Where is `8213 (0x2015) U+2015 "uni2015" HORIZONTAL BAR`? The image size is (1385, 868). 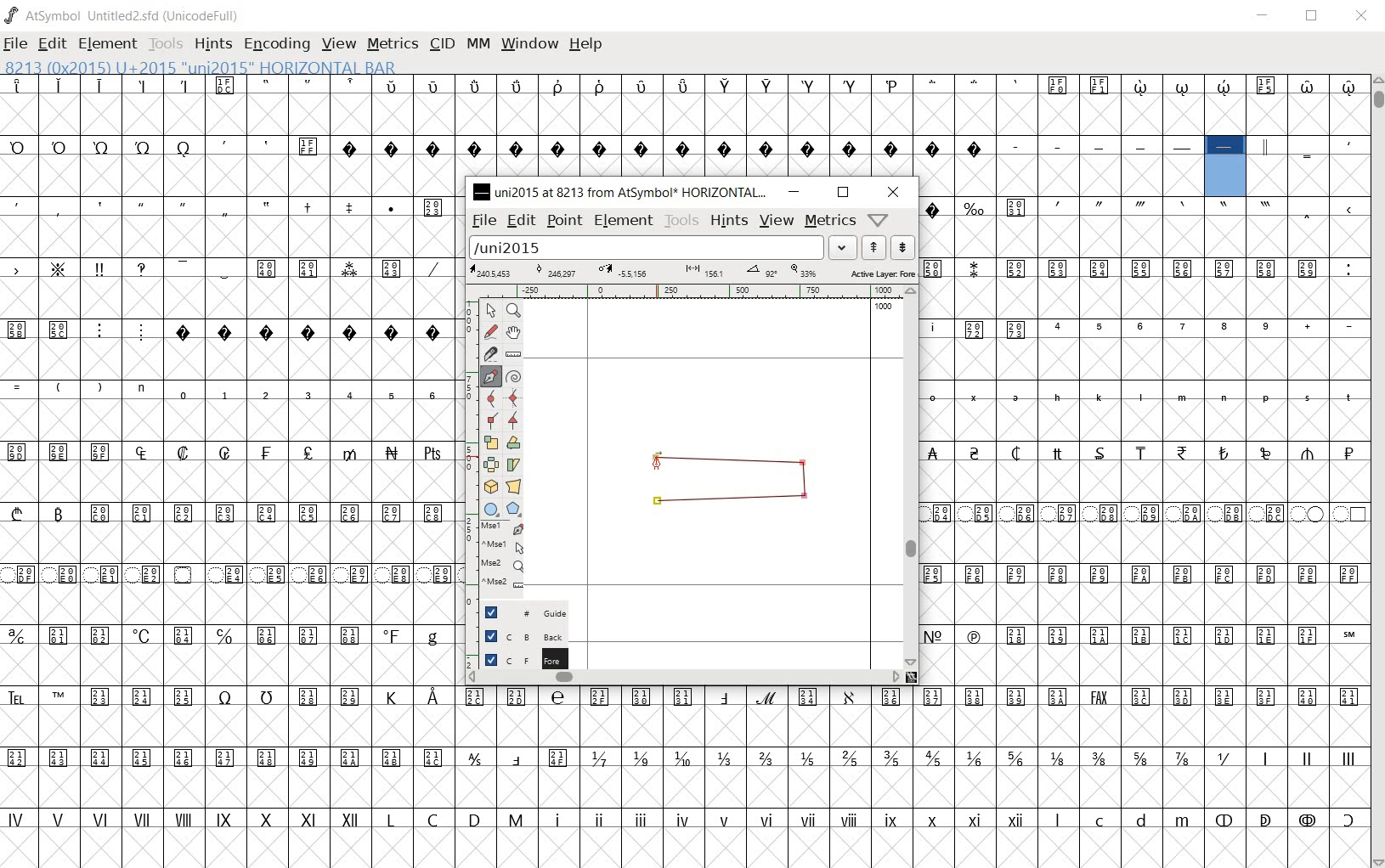
8213 (0x2015) U+2015 "uni2015" HORIZONTAL BAR is located at coordinates (199, 67).